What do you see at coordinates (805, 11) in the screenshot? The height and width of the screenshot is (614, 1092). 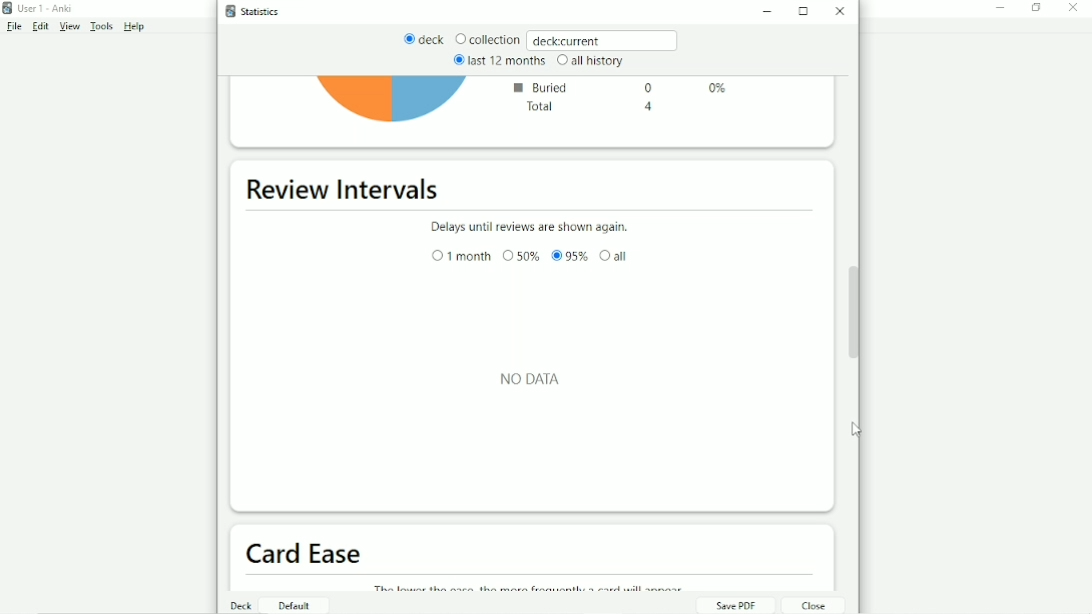 I see `Maximize` at bounding box center [805, 11].